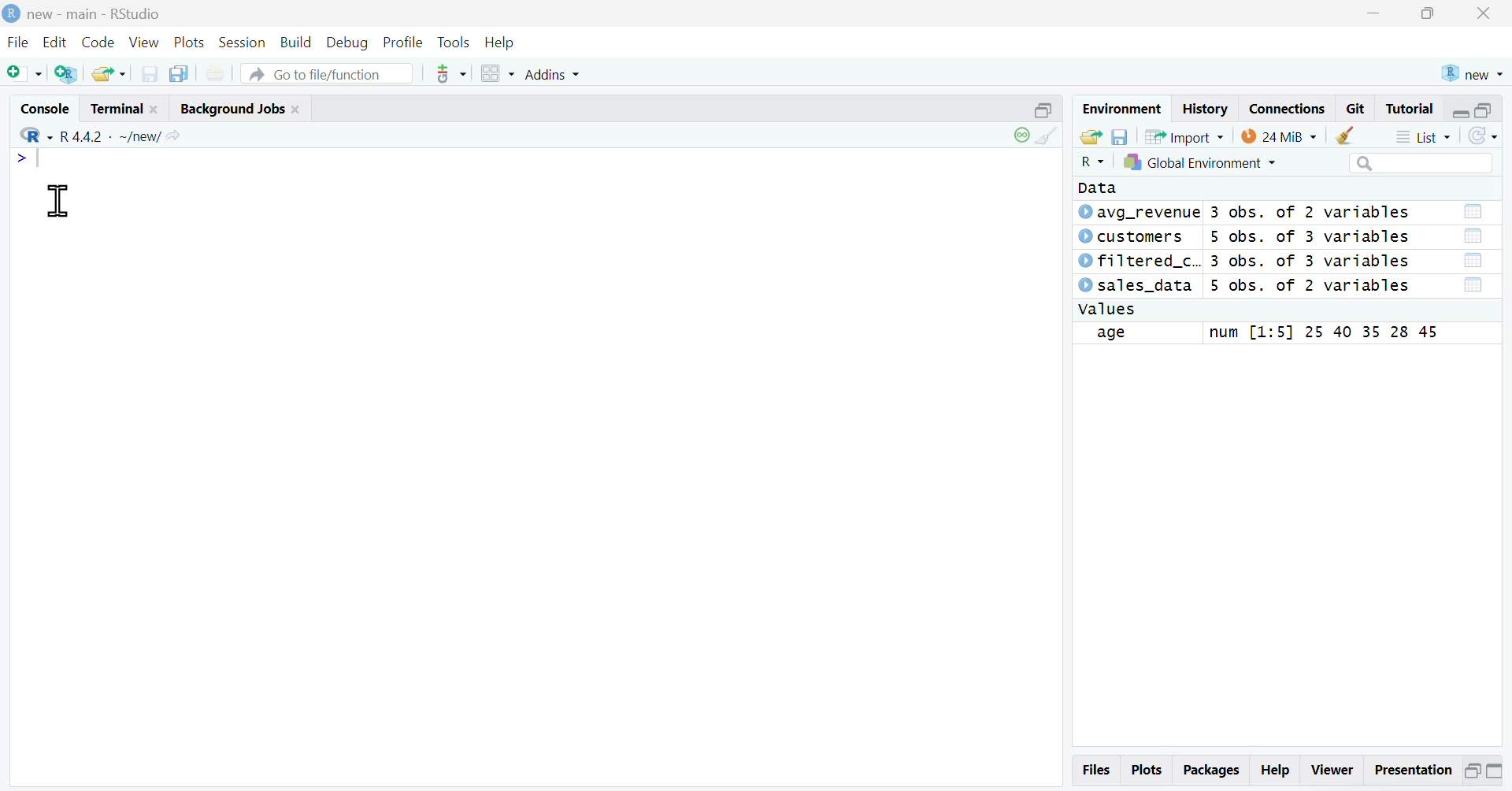 This screenshot has height=791, width=1512. I want to click on Plots, so click(190, 42).